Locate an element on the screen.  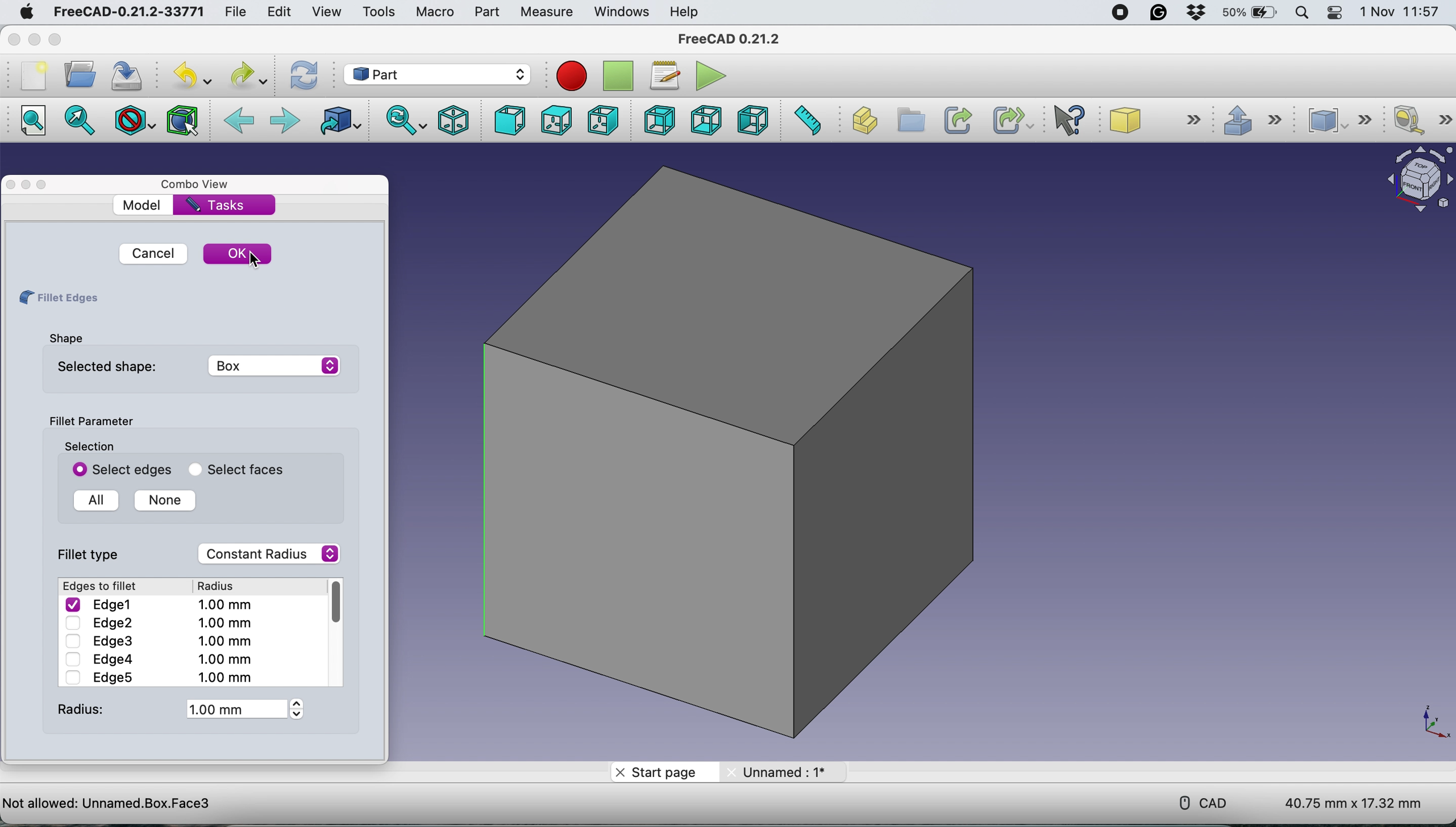
create group is located at coordinates (909, 121).